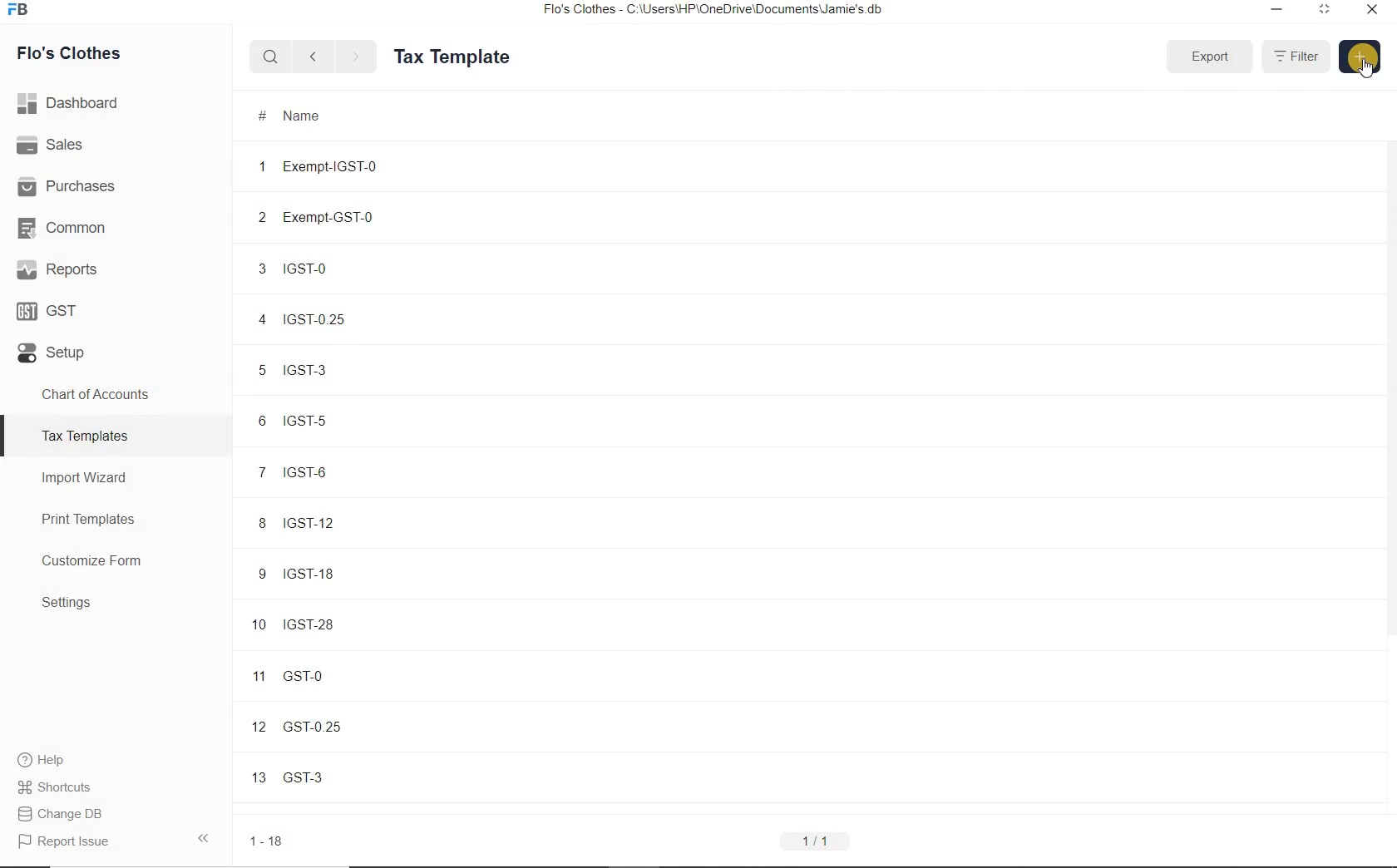  I want to click on Minimize, so click(1277, 11).